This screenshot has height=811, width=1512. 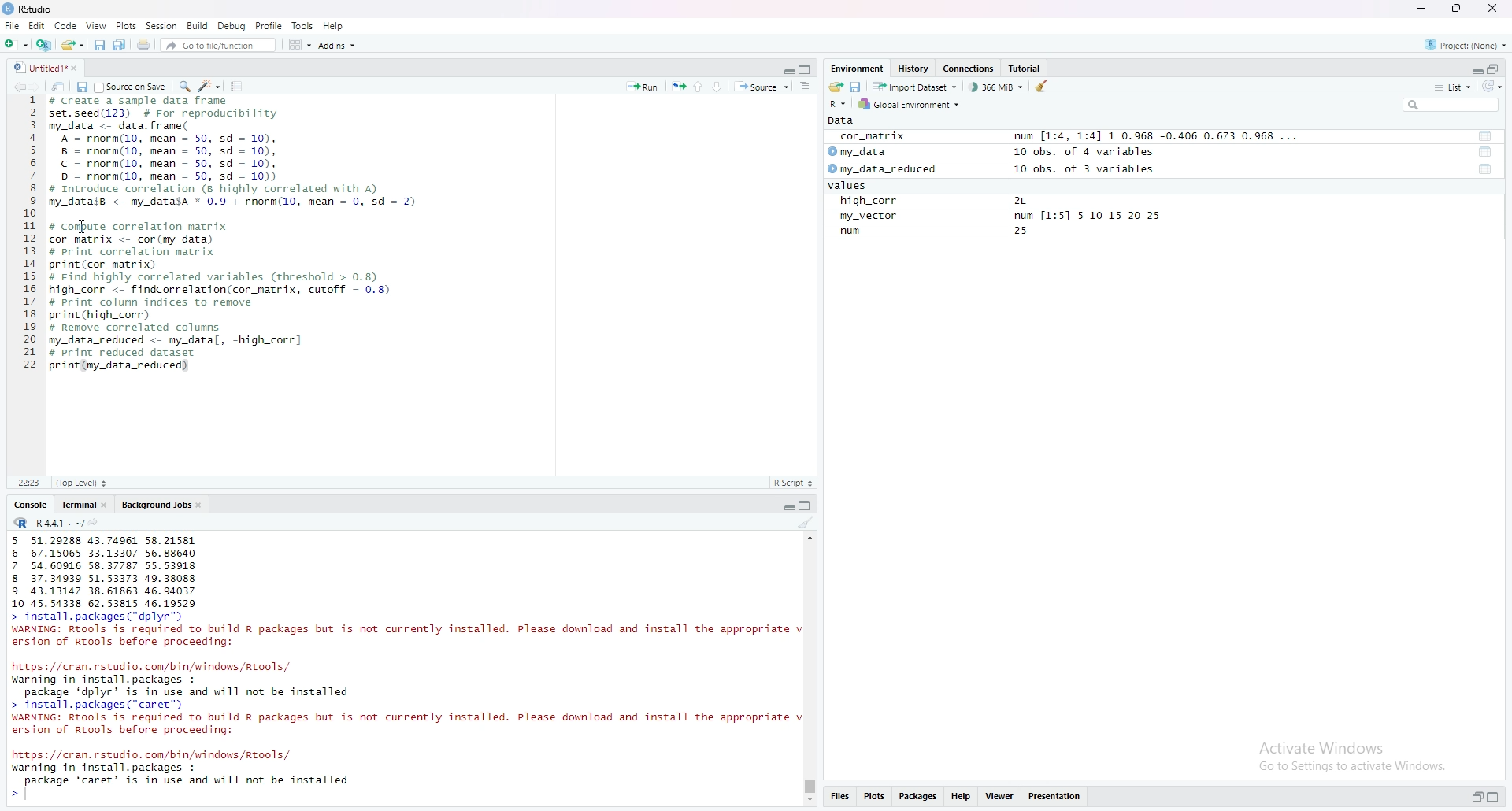 I want to click on Help, so click(x=961, y=797).